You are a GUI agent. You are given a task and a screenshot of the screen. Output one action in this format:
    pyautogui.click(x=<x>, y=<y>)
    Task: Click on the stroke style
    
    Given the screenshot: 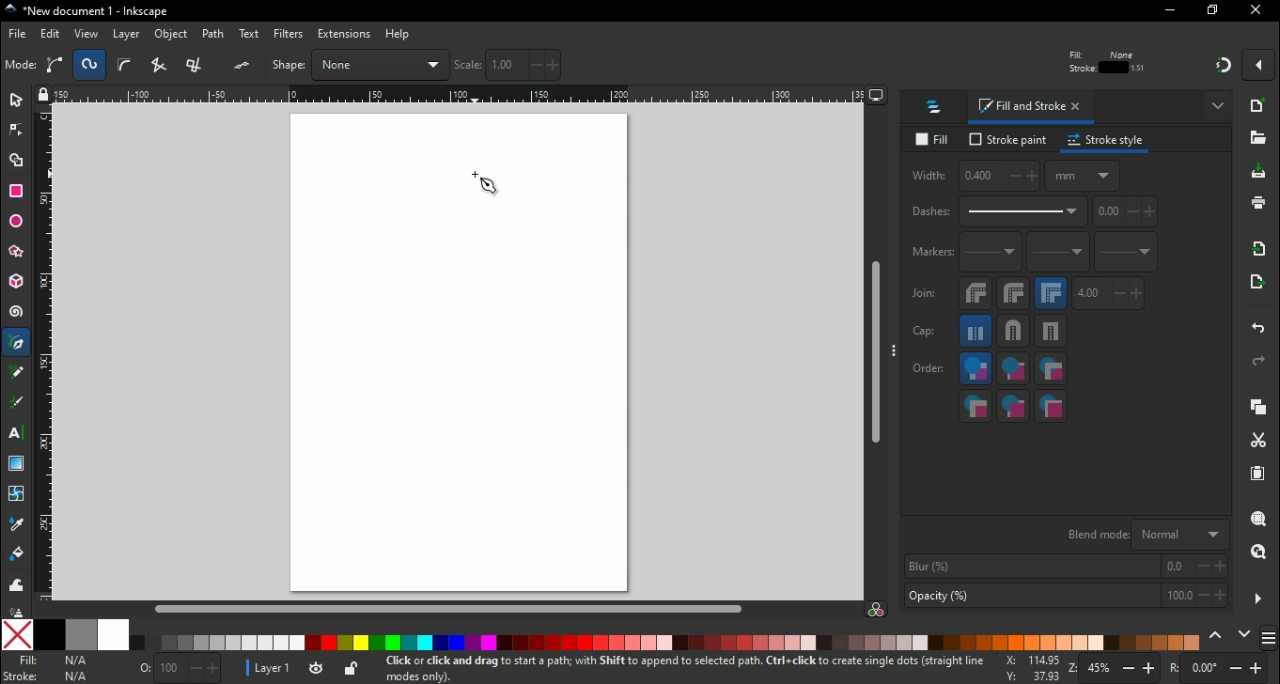 What is the action you would take?
    pyautogui.click(x=1108, y=145)
    